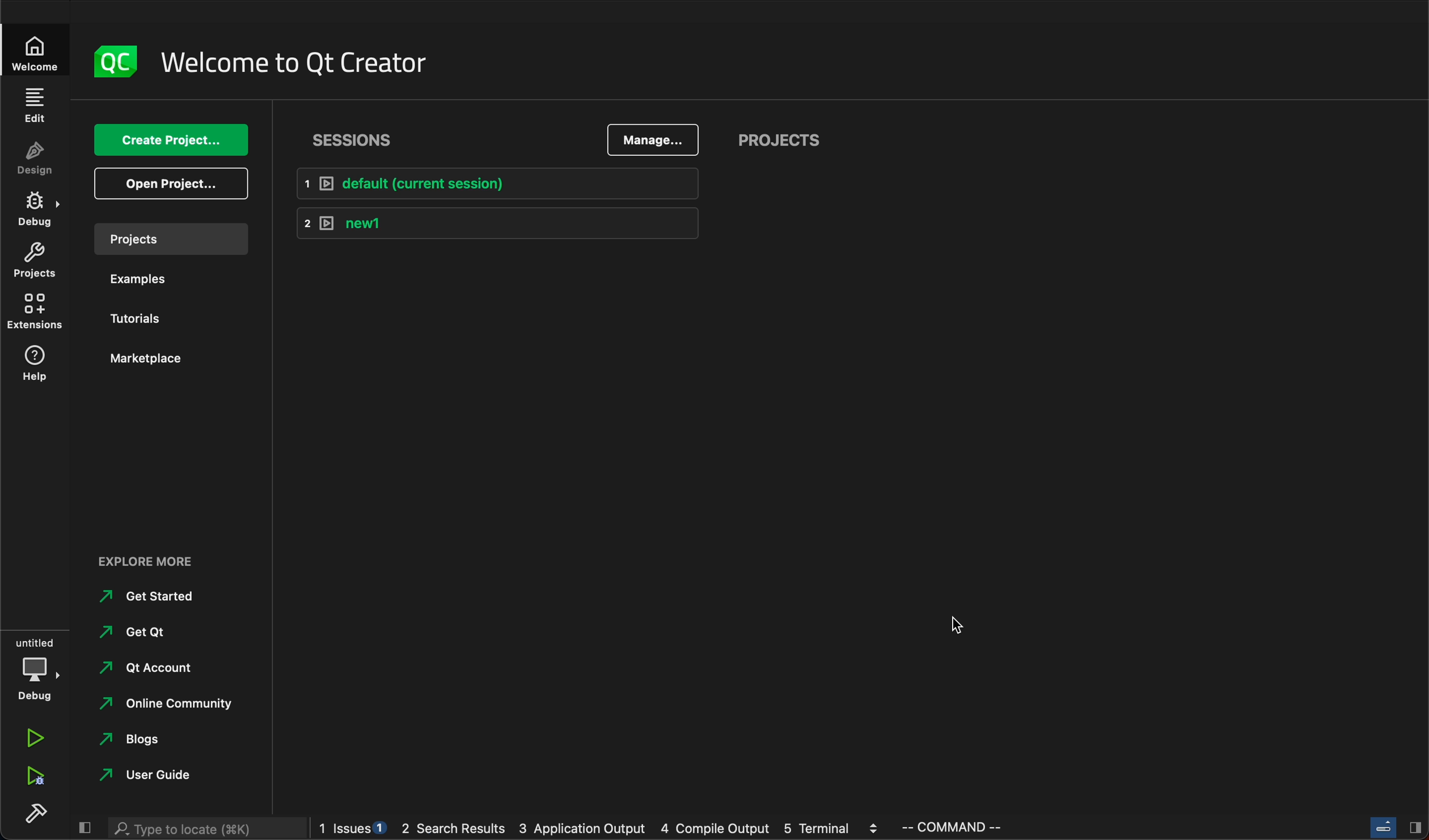 The image size is (1429, 840). I want to click on edit , so click(36, 104).